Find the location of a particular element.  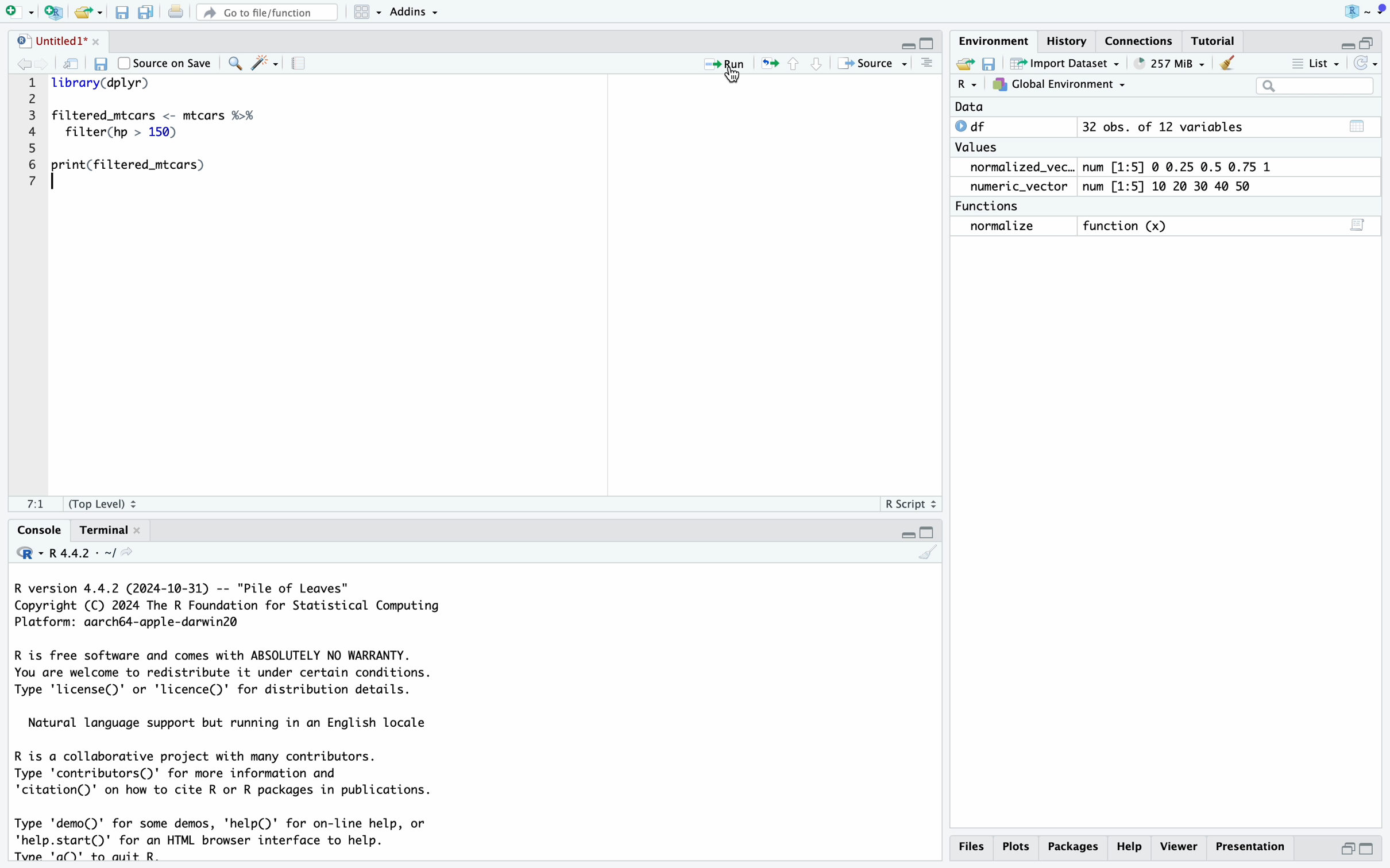

minimize is located at coordinates (906, 533).